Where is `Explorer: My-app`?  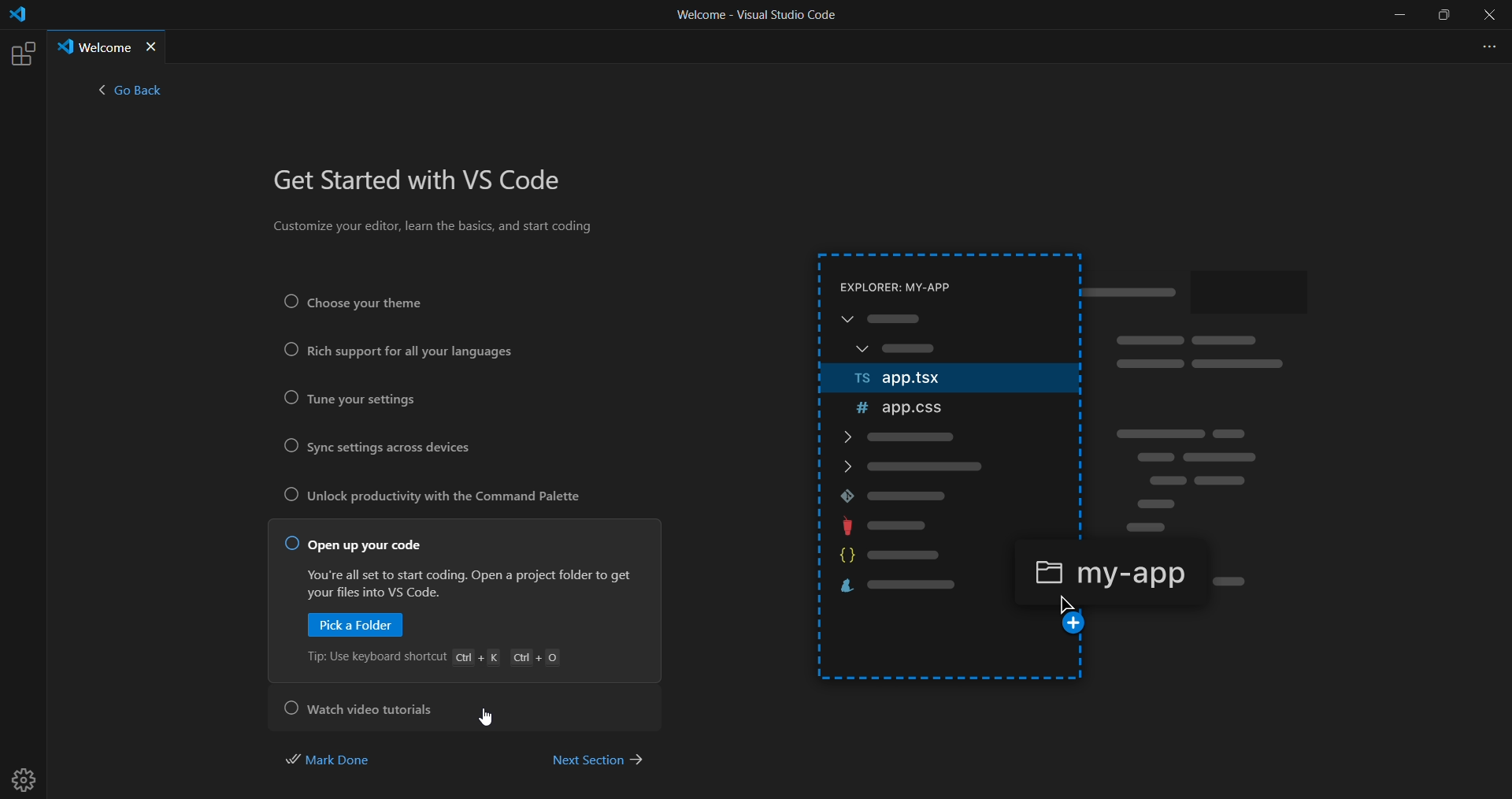 Explorer: My-app is located at coordinates (916, 284).